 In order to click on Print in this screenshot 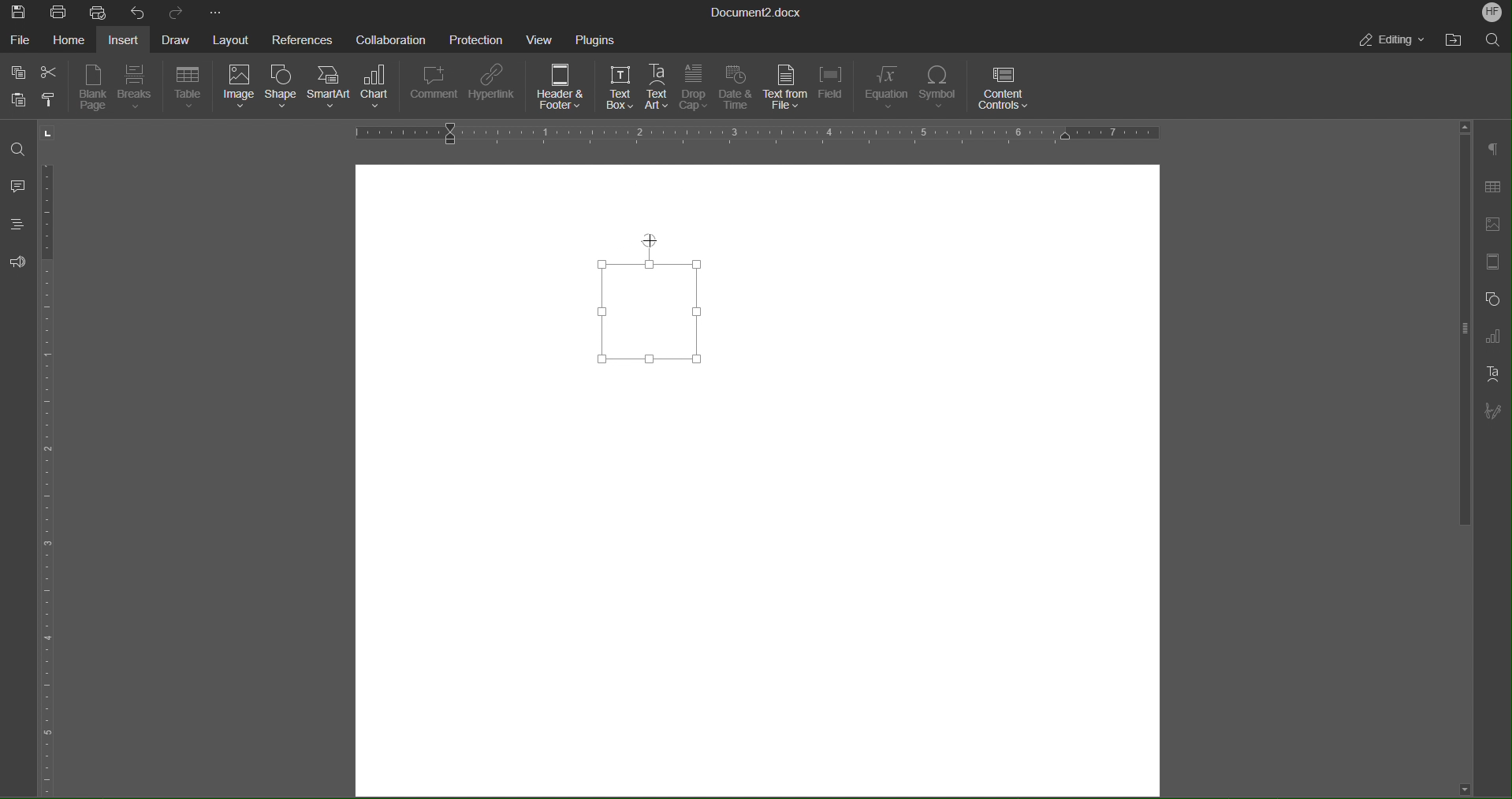, I will do `click(60, 11)`.